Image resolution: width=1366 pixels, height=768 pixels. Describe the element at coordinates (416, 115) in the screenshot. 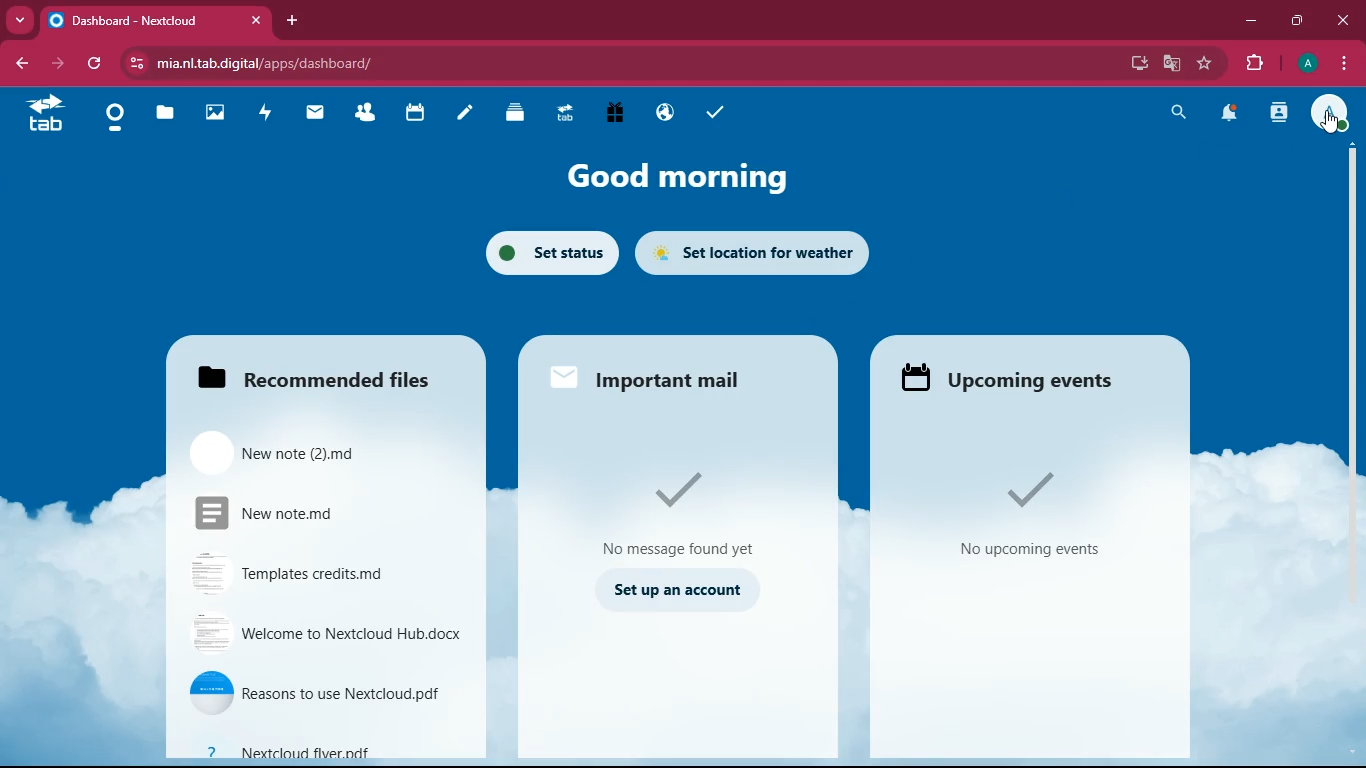

I see `calendar` at that location.